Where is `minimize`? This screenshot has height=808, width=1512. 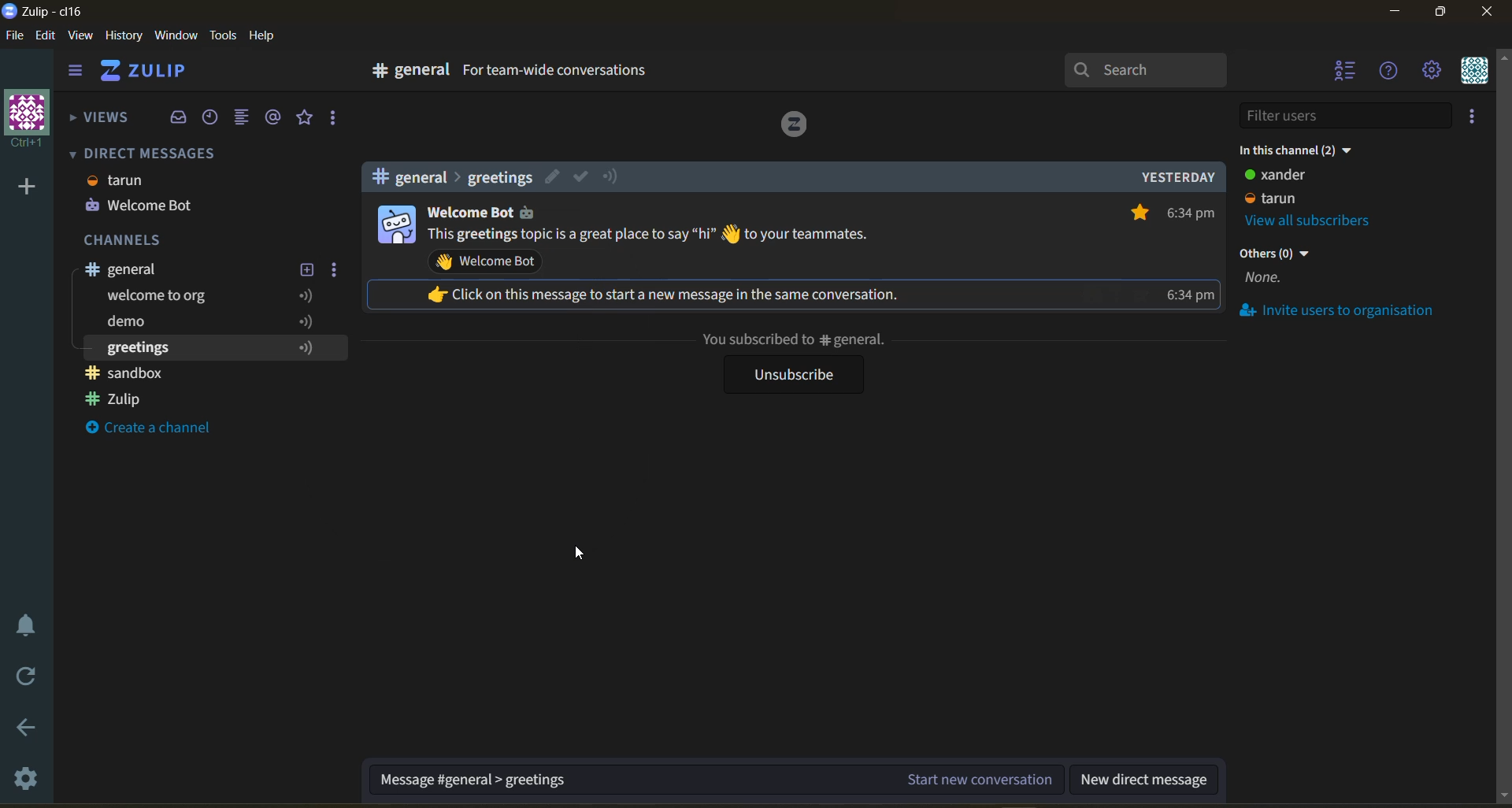
minimize is located at coordinates (1399, 12).